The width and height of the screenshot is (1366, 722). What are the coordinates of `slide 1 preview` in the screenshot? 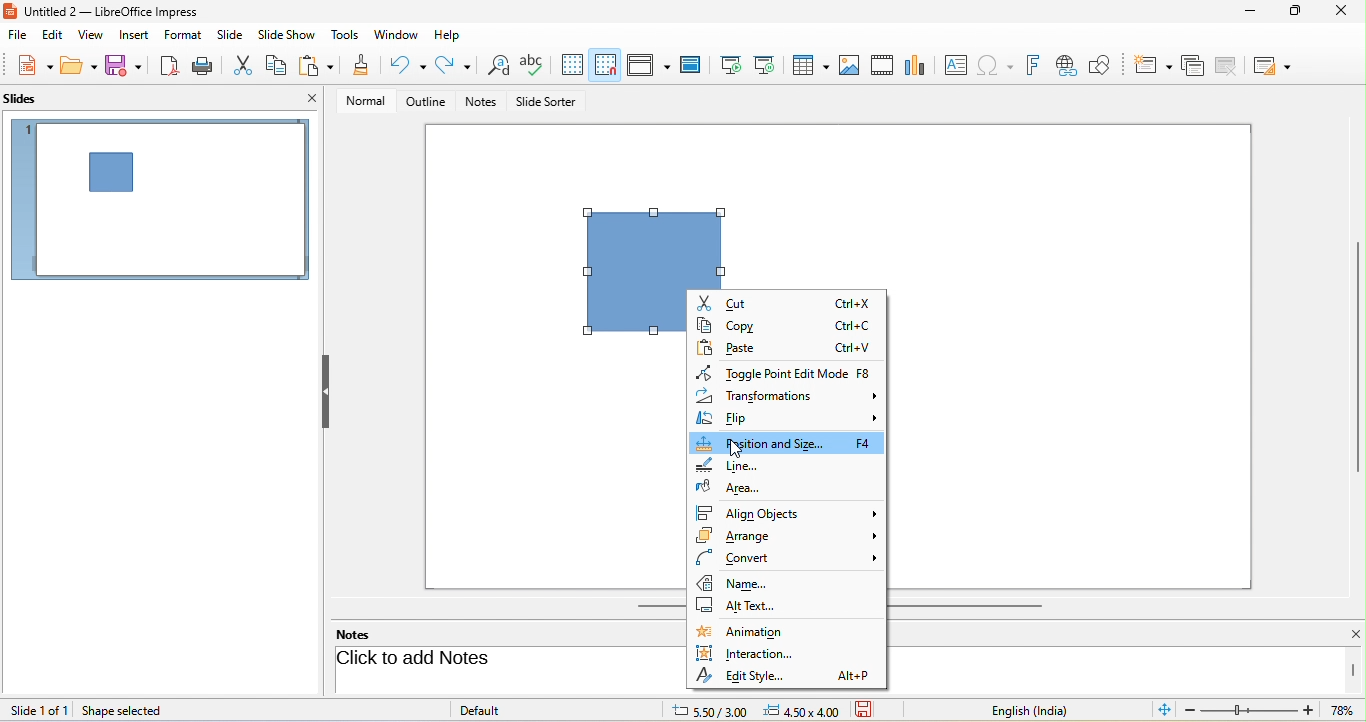 It's located at (160, 207).